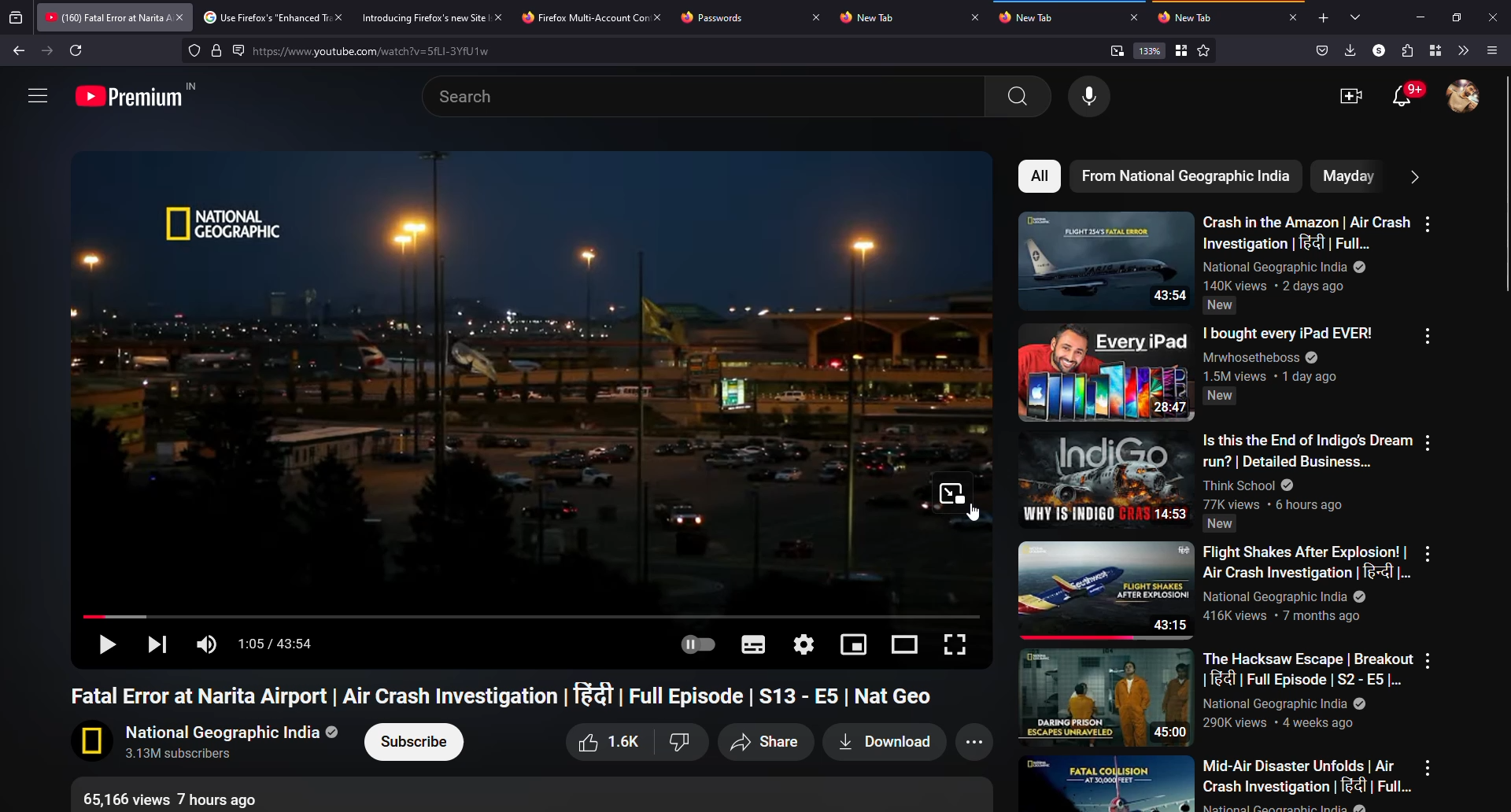 The width and height of the screenshot is (1511, 812). I want to click on video text description, so click(1308, 690).